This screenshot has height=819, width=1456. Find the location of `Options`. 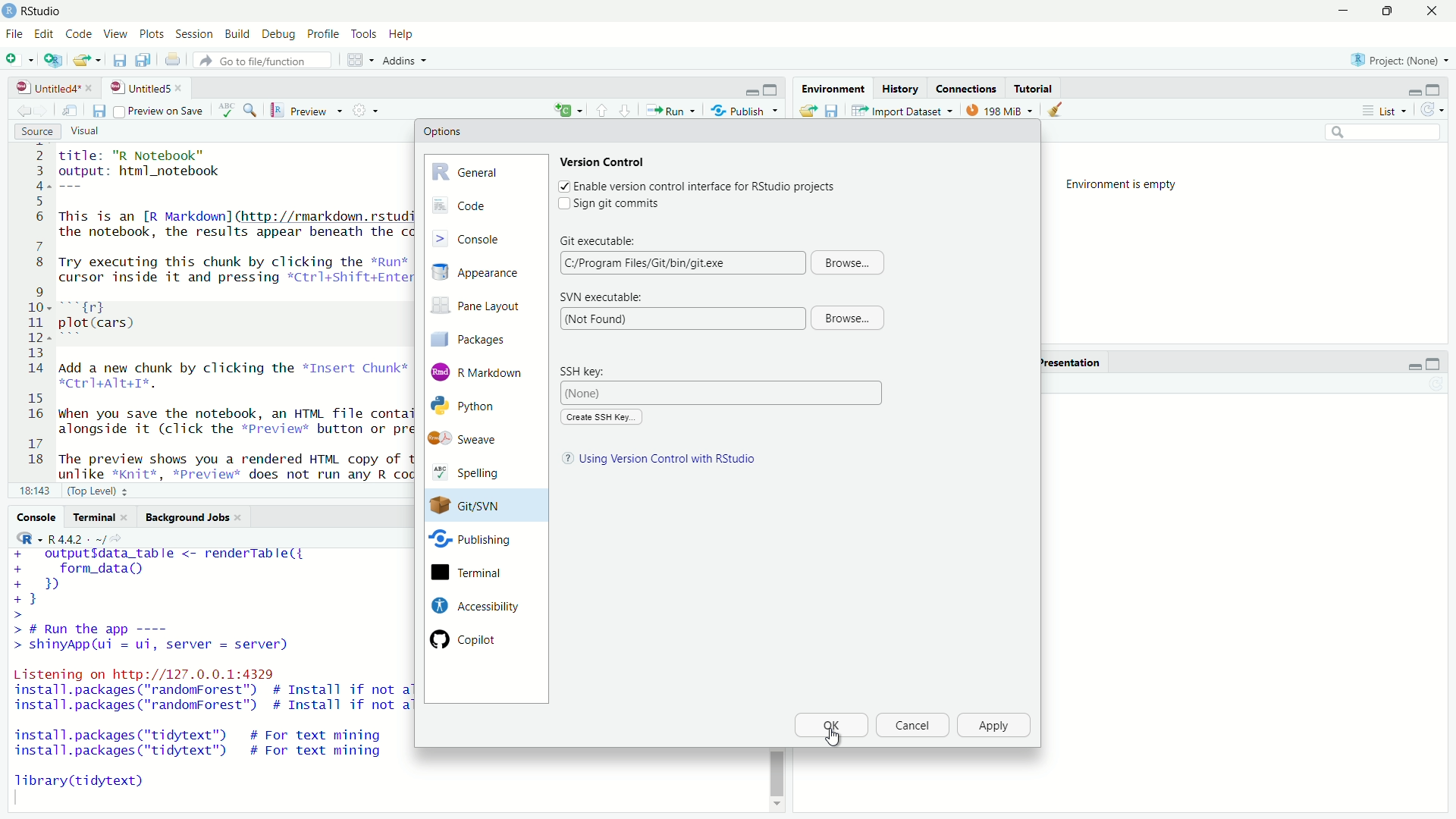

Options is located at coordinates (443, 131).